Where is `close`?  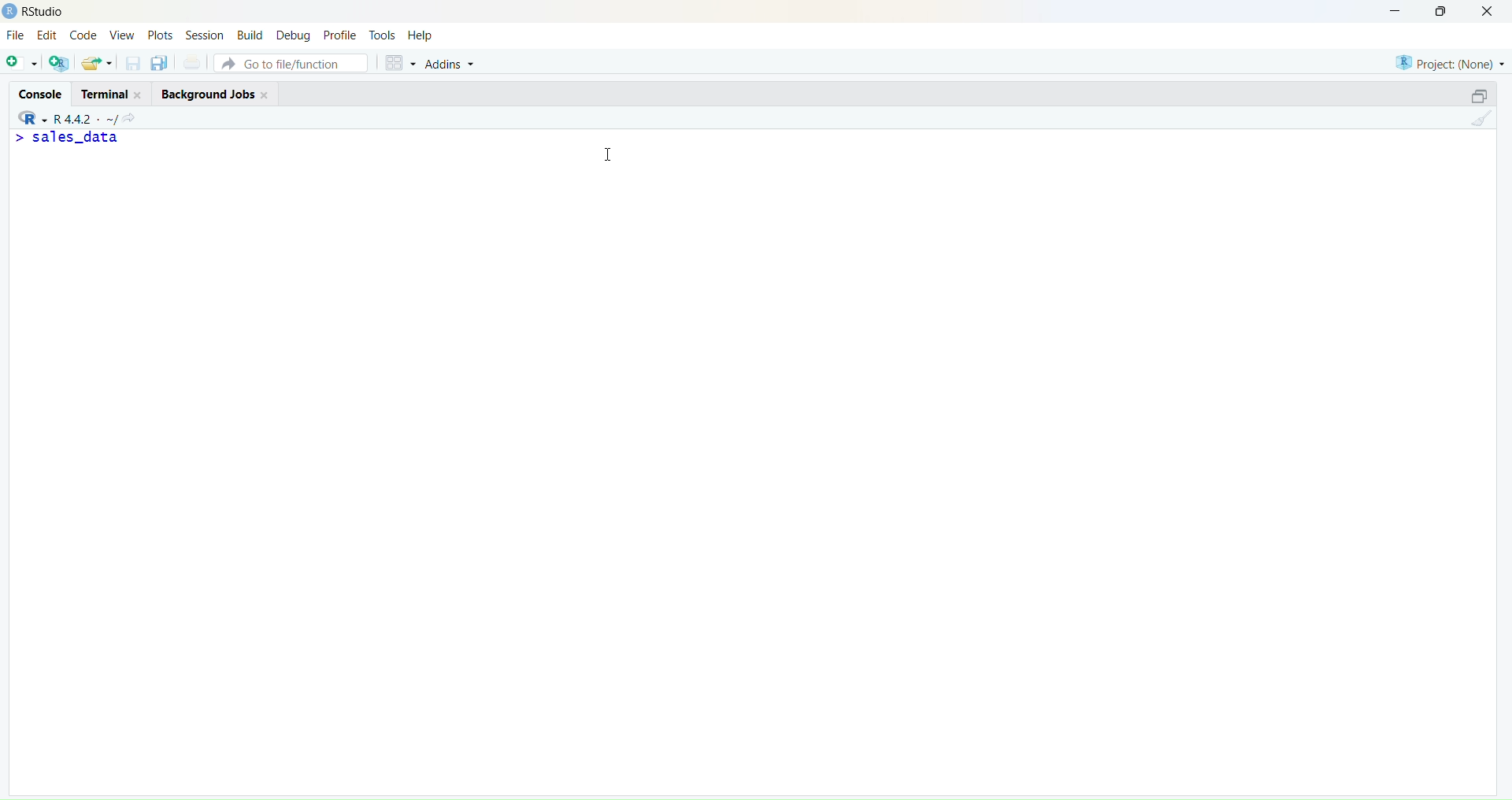
close is located at coordinates (1493, 12).